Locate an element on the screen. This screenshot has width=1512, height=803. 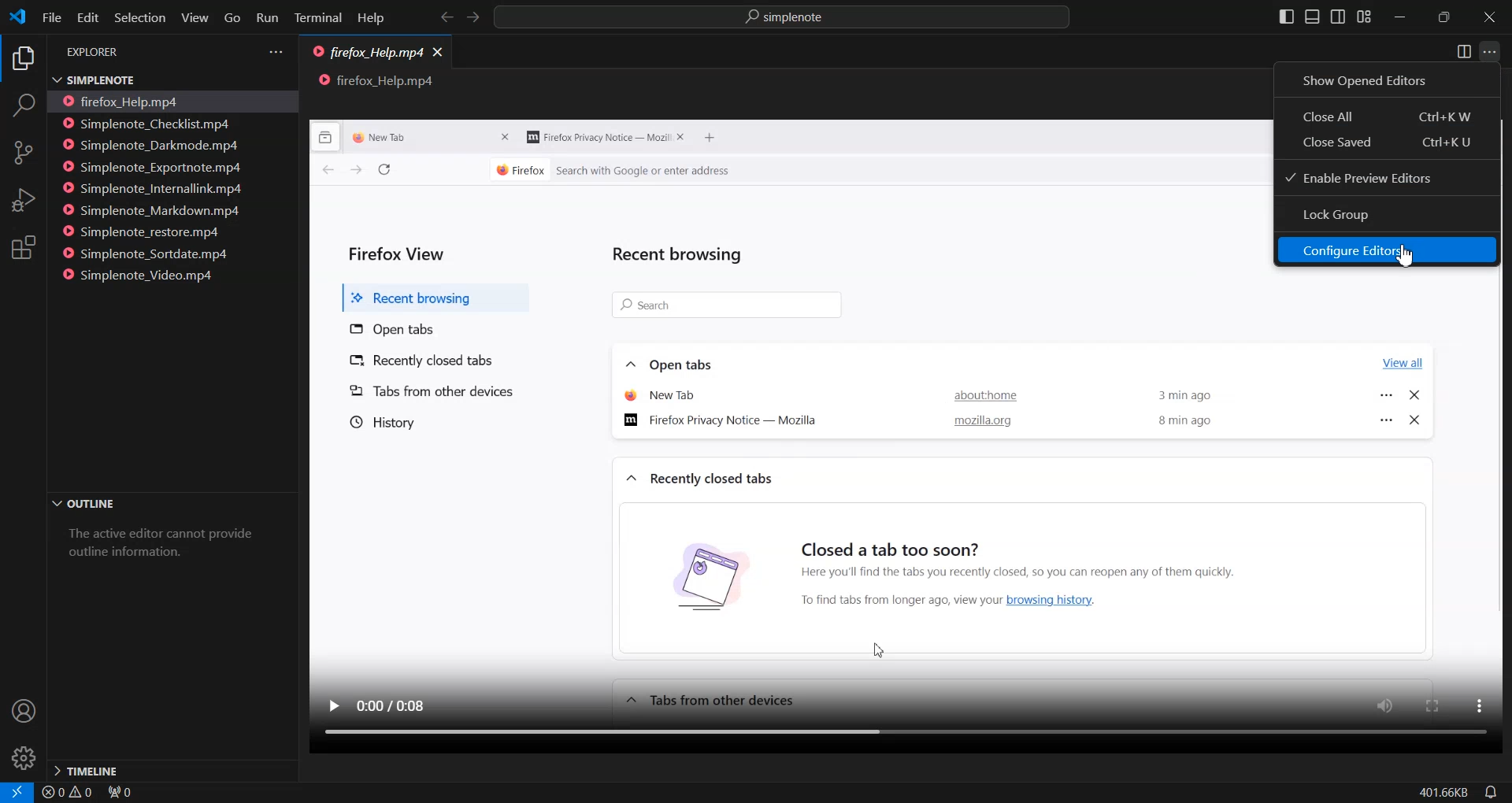
Recent browsing is located at coordinates (682, 253).